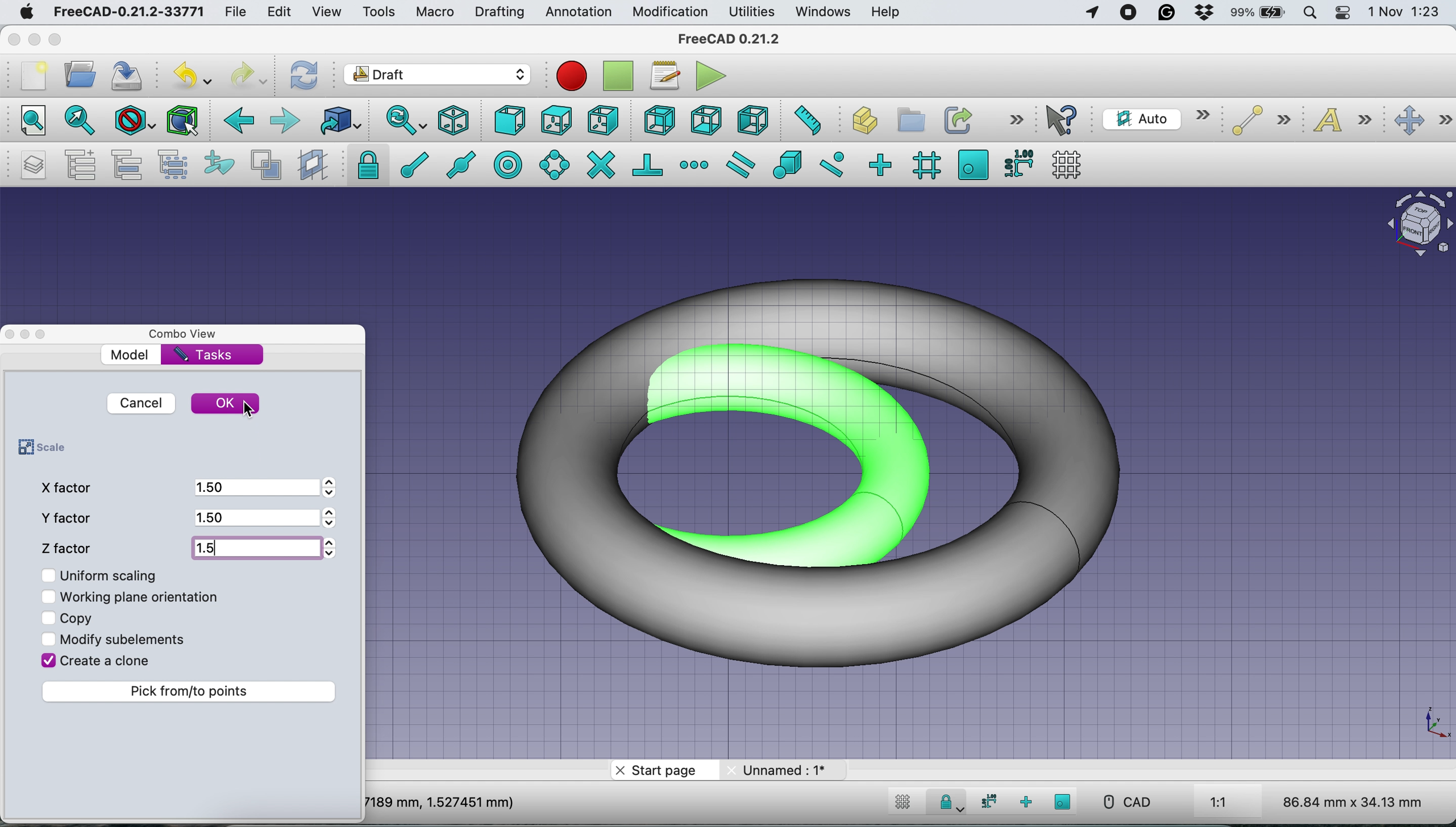 The image size is (1456, 827). Describe the element at coordinates (1065, 120) in the screenshot. I see `what's this` at that location.